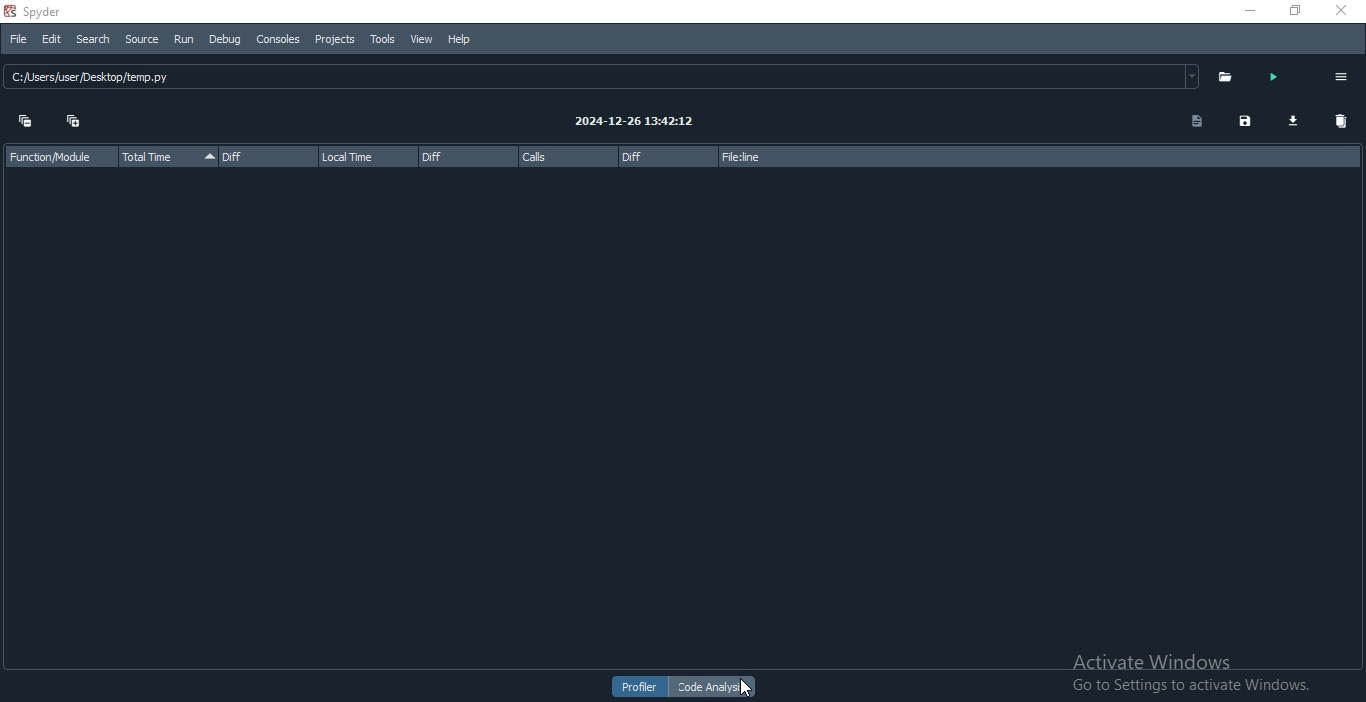  Describe the element at coordinates (1243, 124) in the screenshot. I see `save` at that location.